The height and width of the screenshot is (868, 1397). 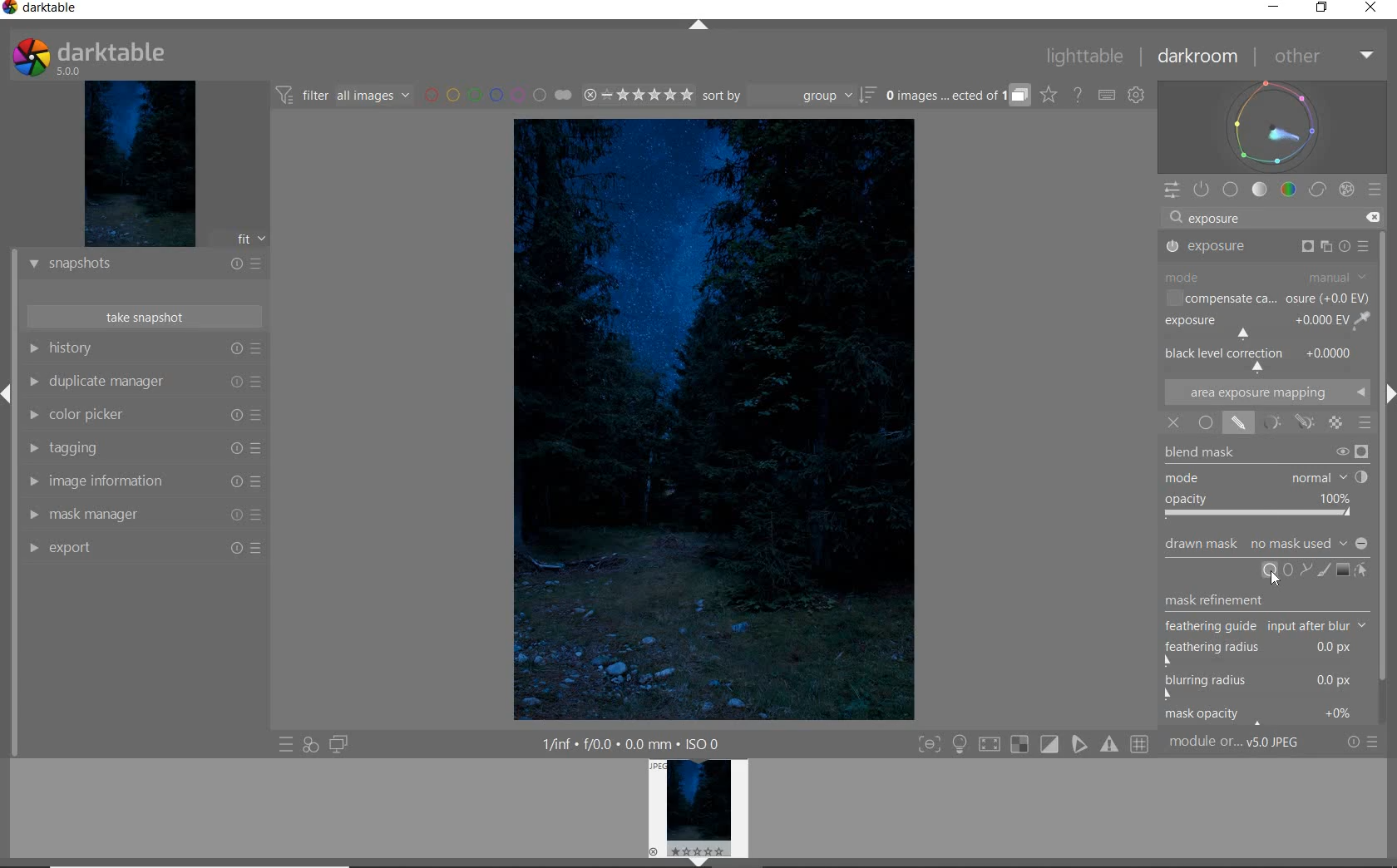 I want to click on AREA EXPOSURE MAPPING, so click(x=1266, y=391).